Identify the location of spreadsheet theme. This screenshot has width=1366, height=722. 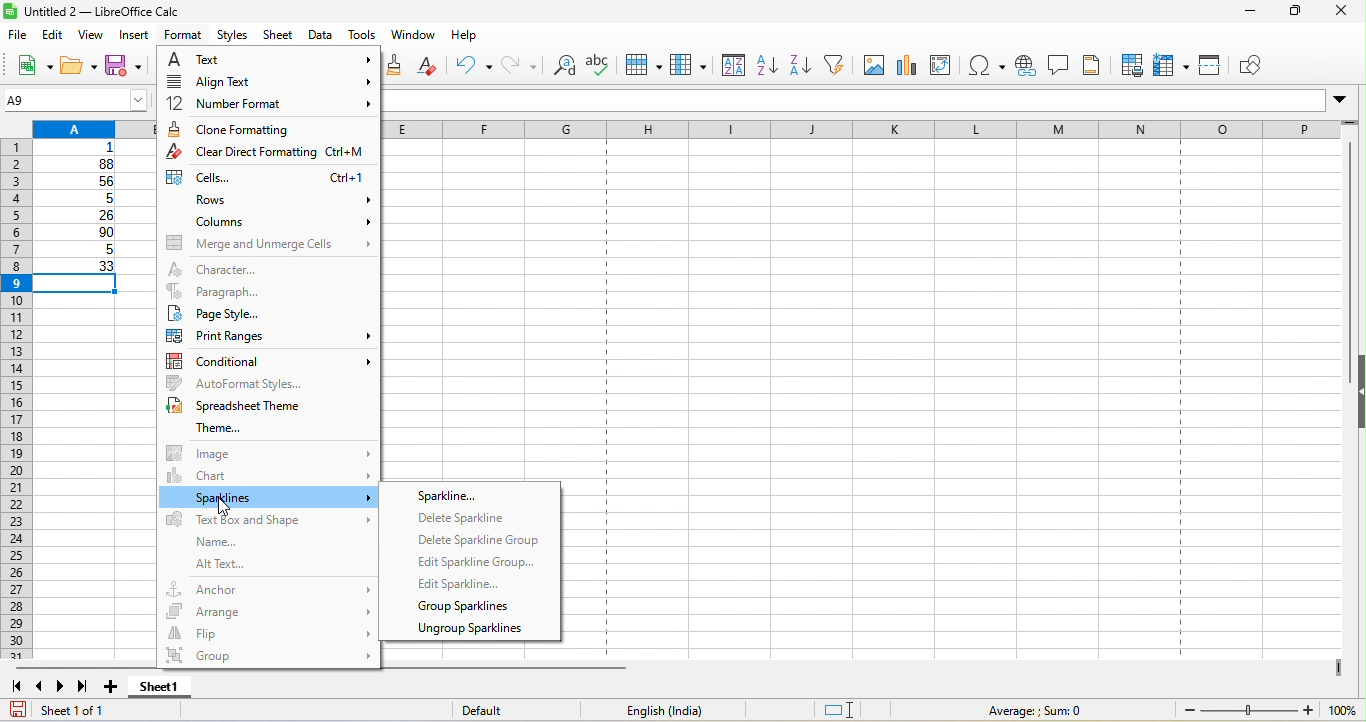
(244, 406).